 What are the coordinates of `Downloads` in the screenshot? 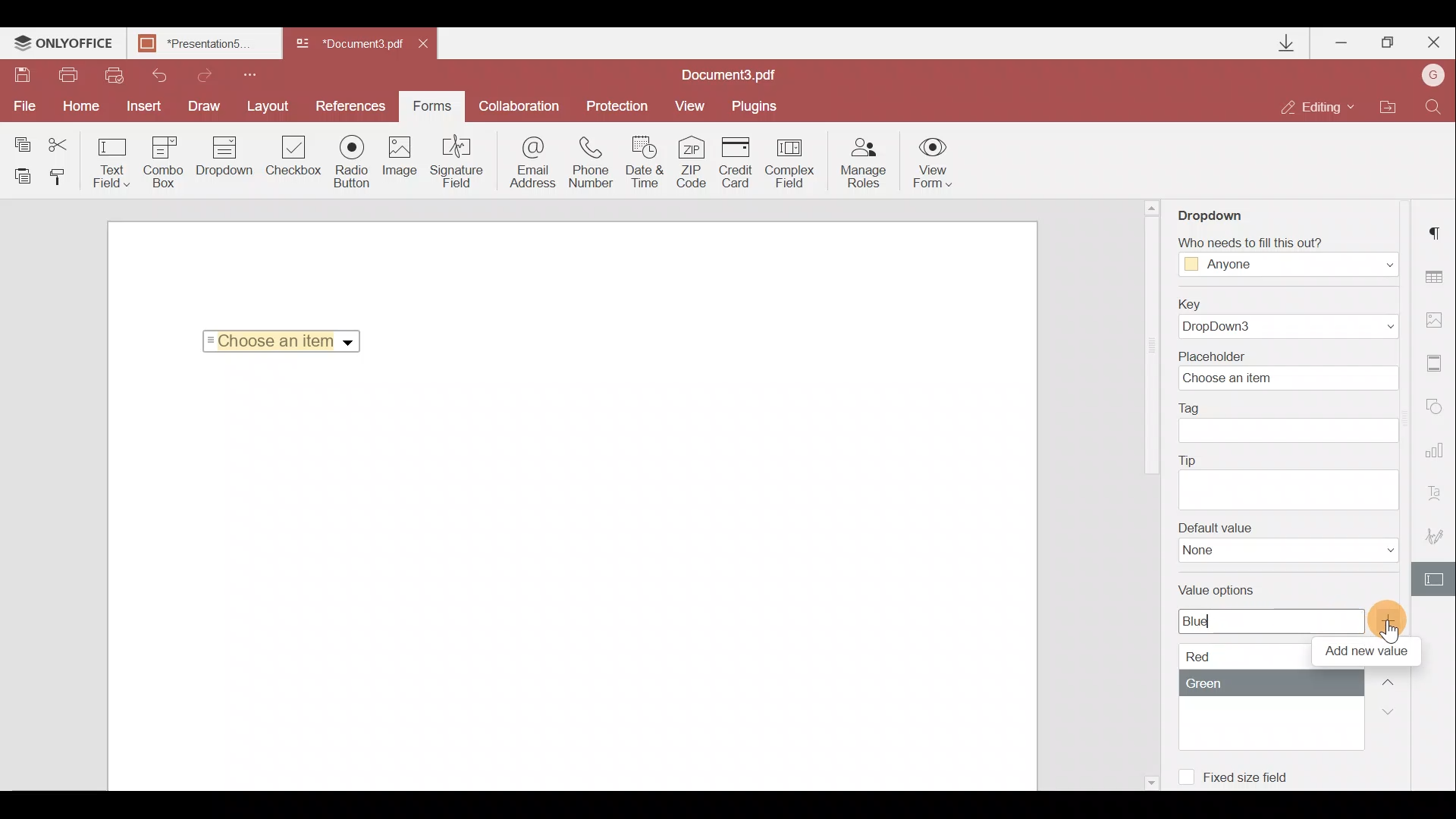 It's located at (1289, 43).